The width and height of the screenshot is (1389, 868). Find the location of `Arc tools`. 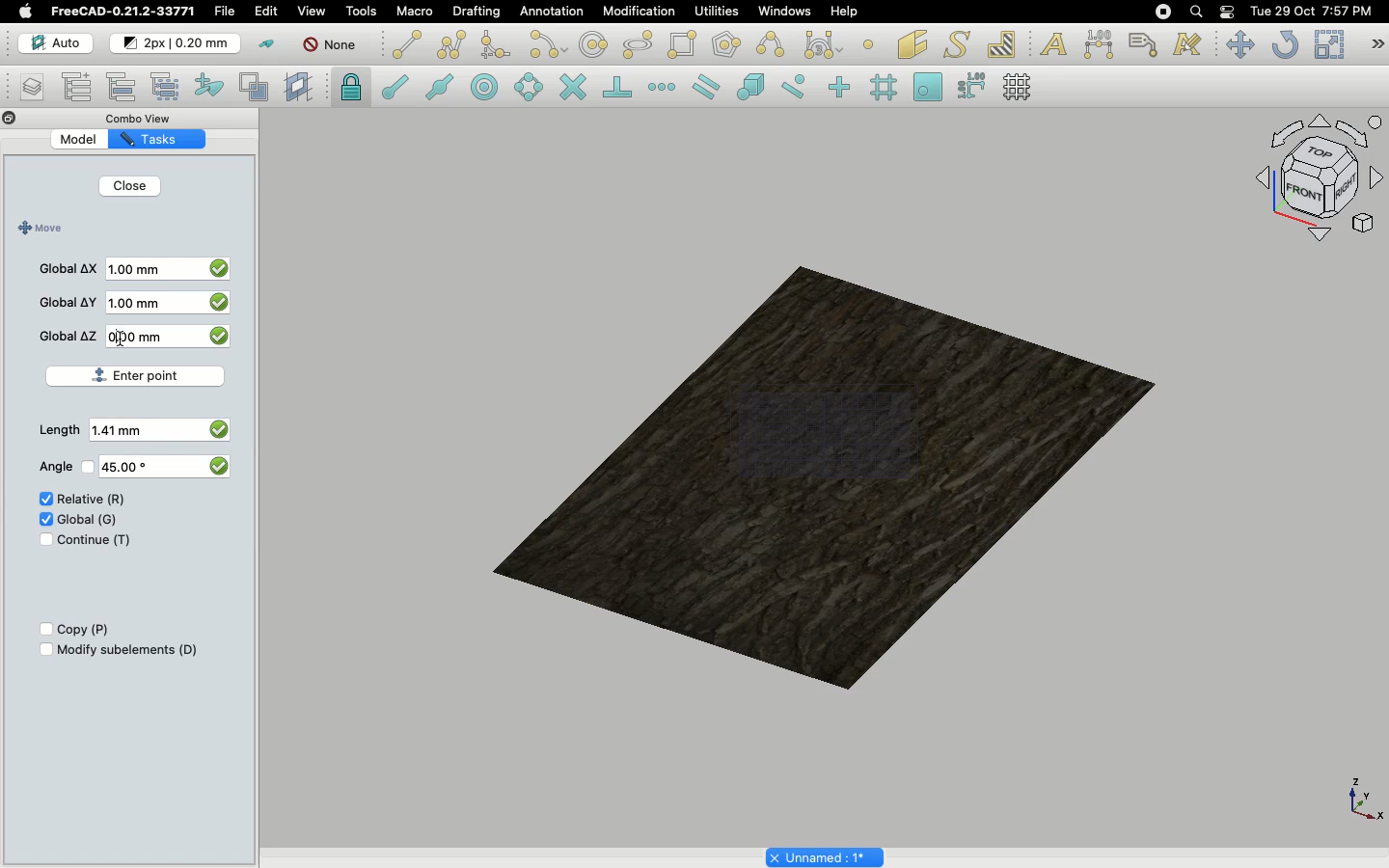

Arc tools is located at coordinates (547, 46).